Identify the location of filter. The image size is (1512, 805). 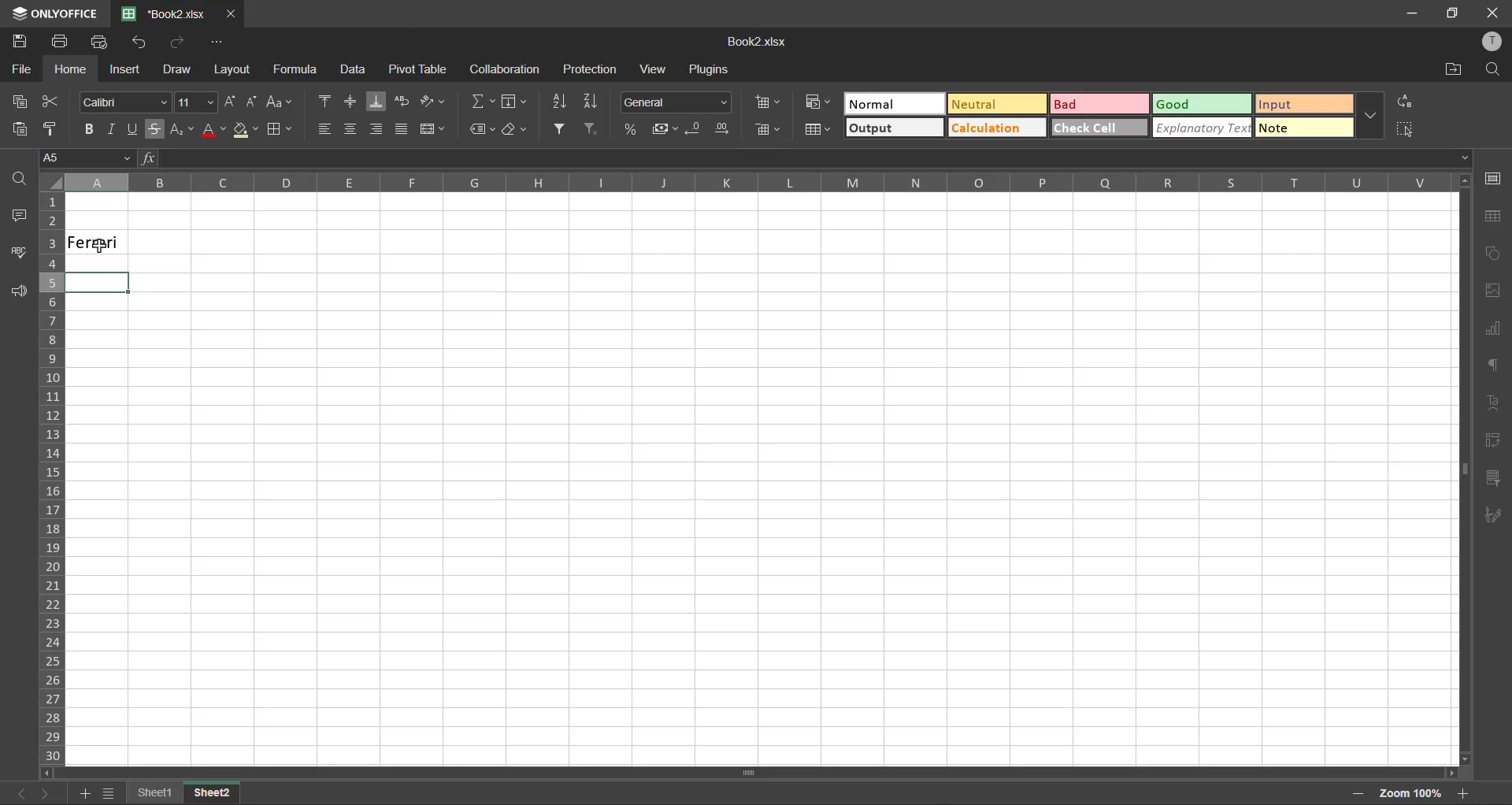
(560, 128).